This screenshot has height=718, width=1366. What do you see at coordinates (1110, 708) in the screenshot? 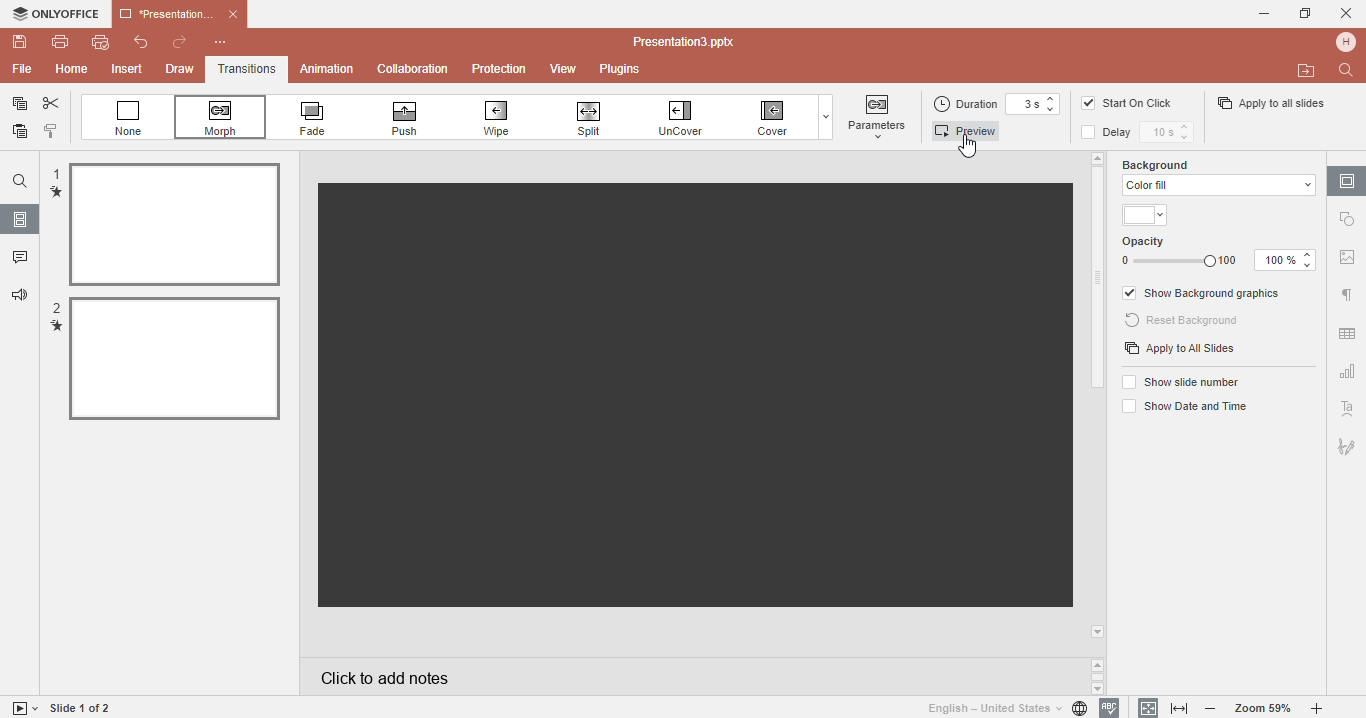
I see `Spell checking` at bounding box center [1110, 708].